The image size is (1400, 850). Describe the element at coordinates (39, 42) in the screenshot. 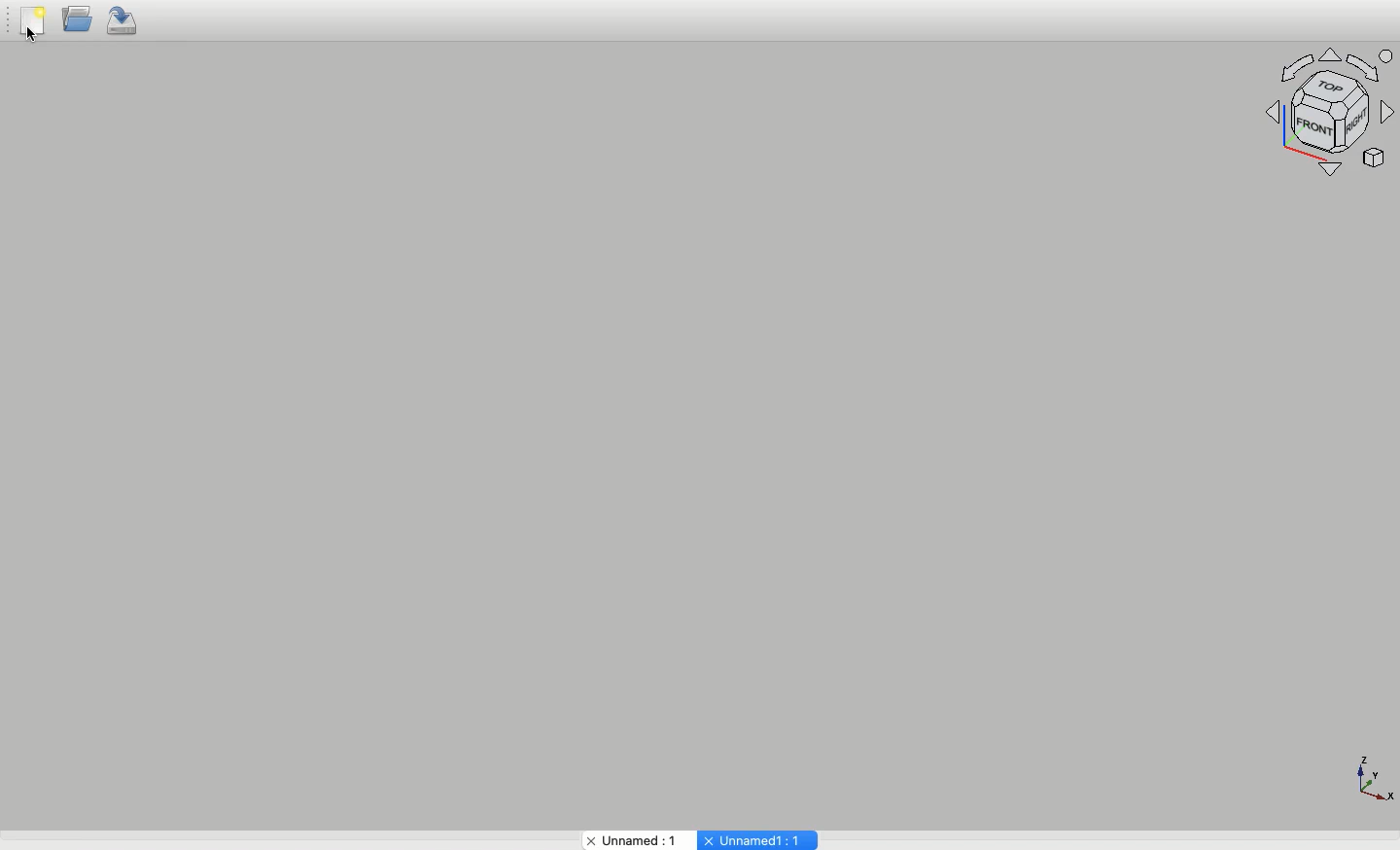

I see `cursor` at that location.